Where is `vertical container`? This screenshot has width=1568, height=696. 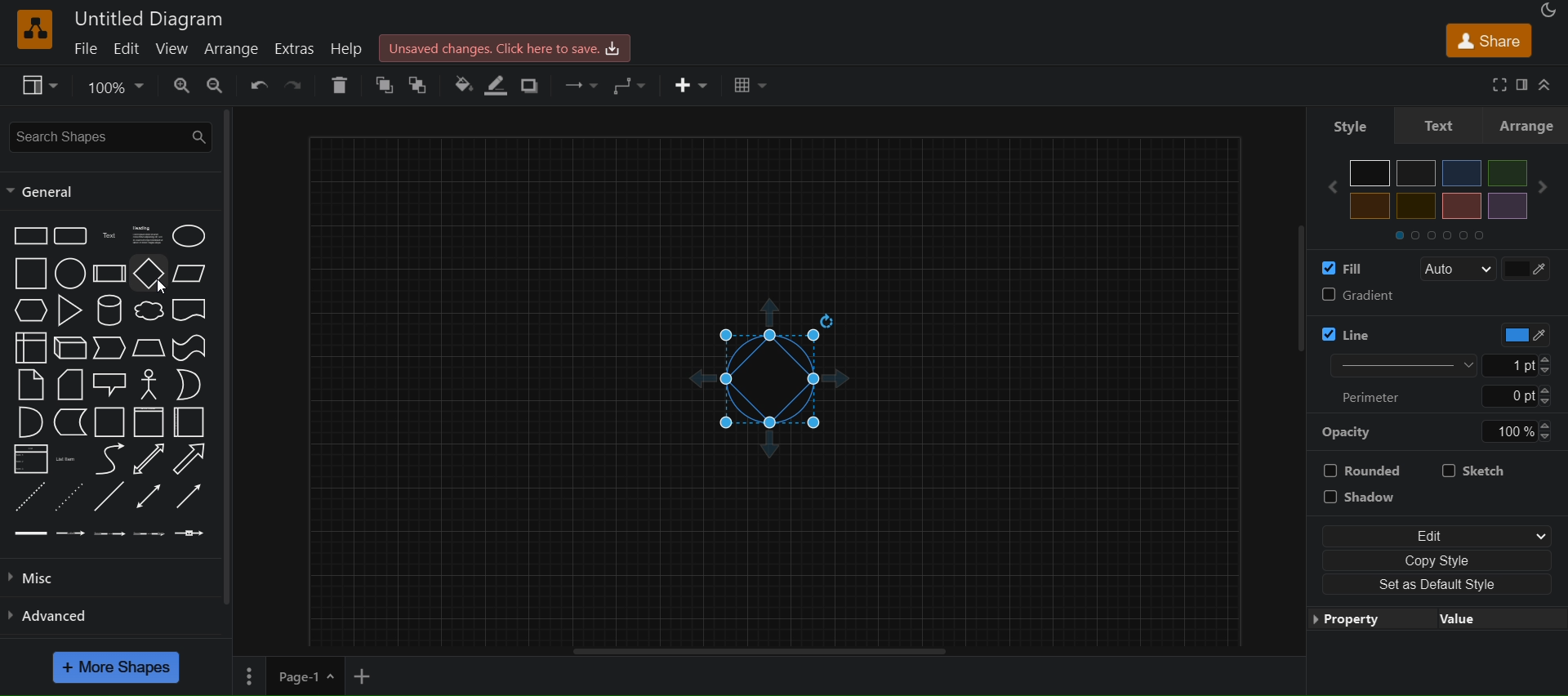 vertical container is located at coordinates (148, 424).